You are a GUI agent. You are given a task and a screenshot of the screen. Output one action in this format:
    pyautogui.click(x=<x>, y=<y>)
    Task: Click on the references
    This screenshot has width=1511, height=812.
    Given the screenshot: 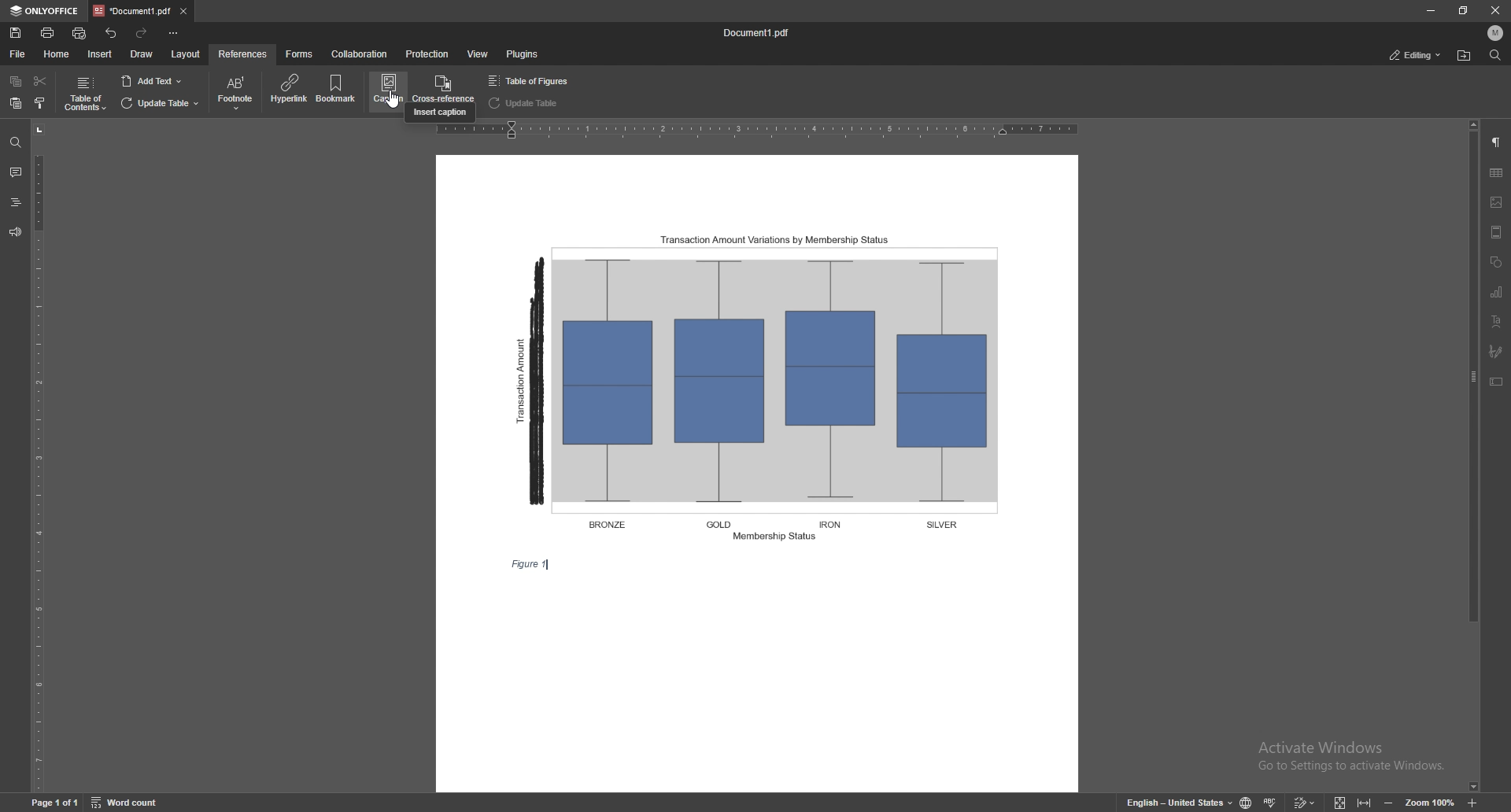 What is the action you would take?
    pyautogui.click(x=242, y=54)
    